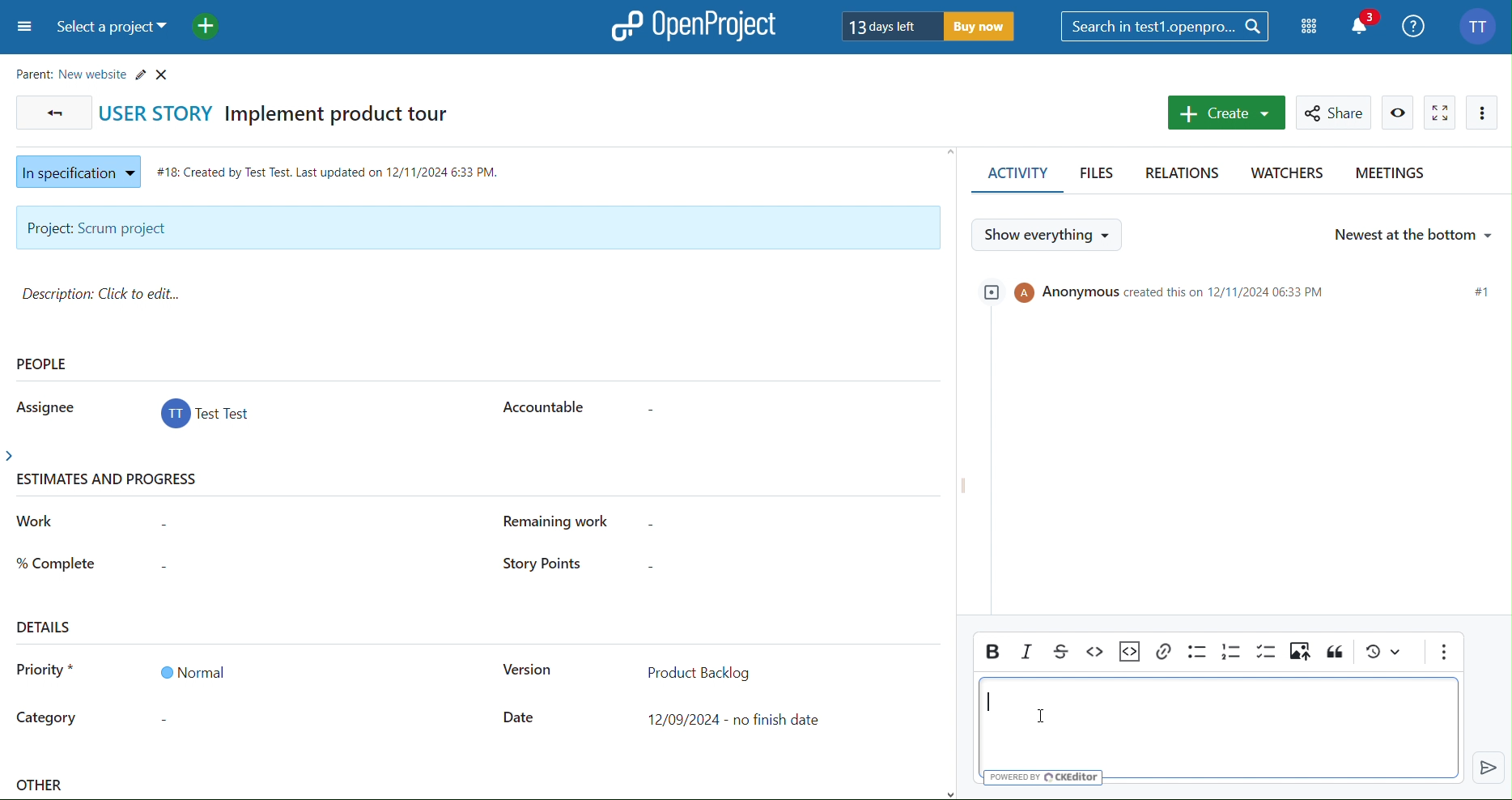 The height and width of the screenshot is (800, 1512). What do you see at coordinates (192, 672) in the screenshot?
I see `Normal` at bounding box center [192, 672].